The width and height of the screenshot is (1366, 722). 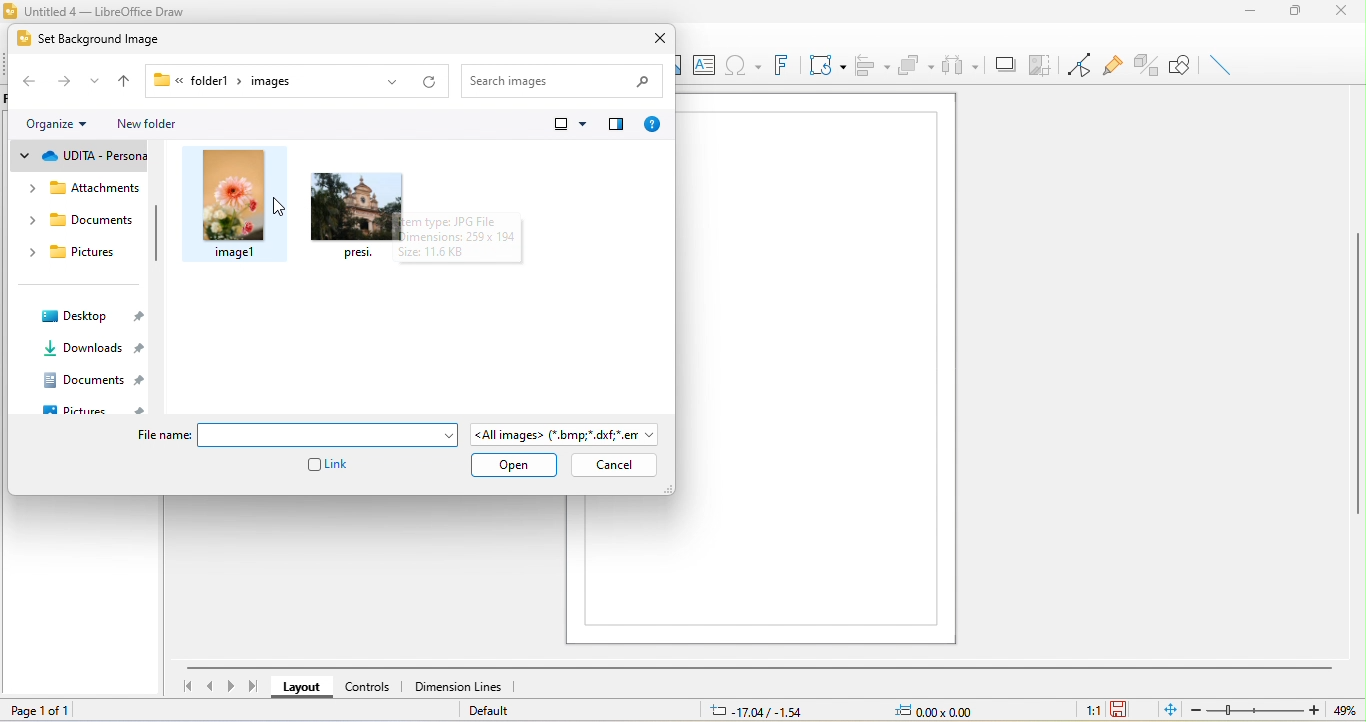 I want to click on close, so click(x=656, y=39).